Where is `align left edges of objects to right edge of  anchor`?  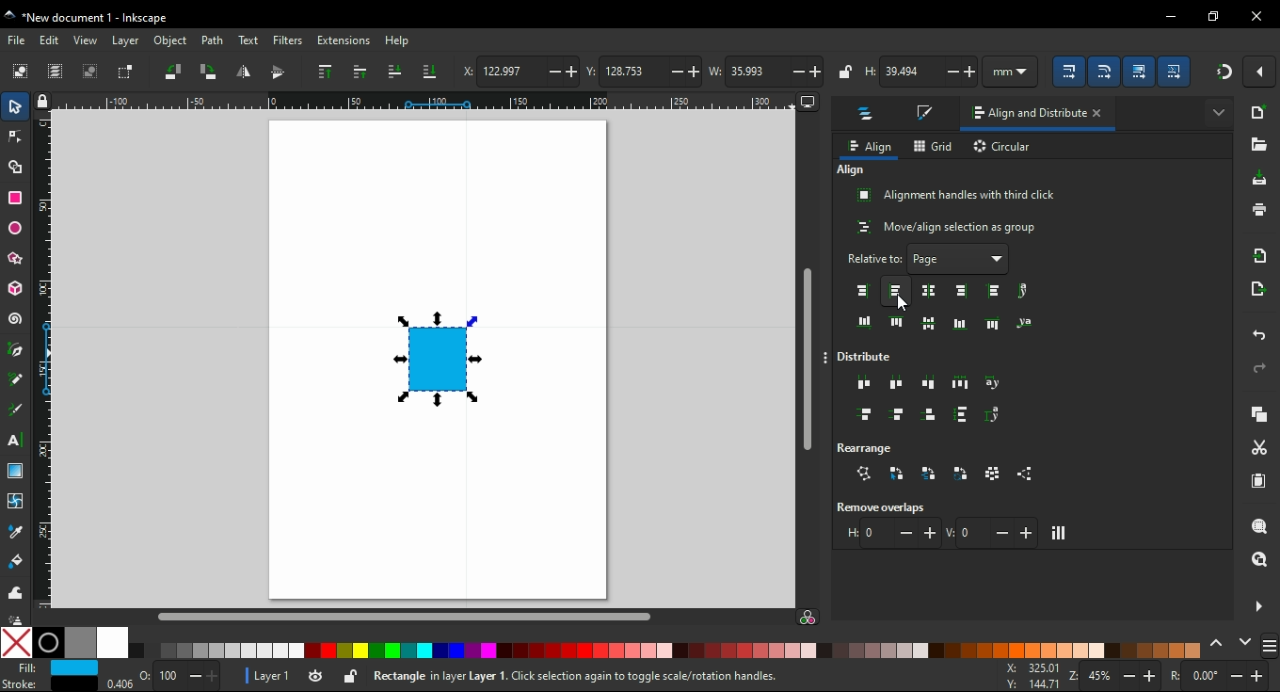 align left edges of objects to right edge of  anchor is located at coordinates (994, 291).